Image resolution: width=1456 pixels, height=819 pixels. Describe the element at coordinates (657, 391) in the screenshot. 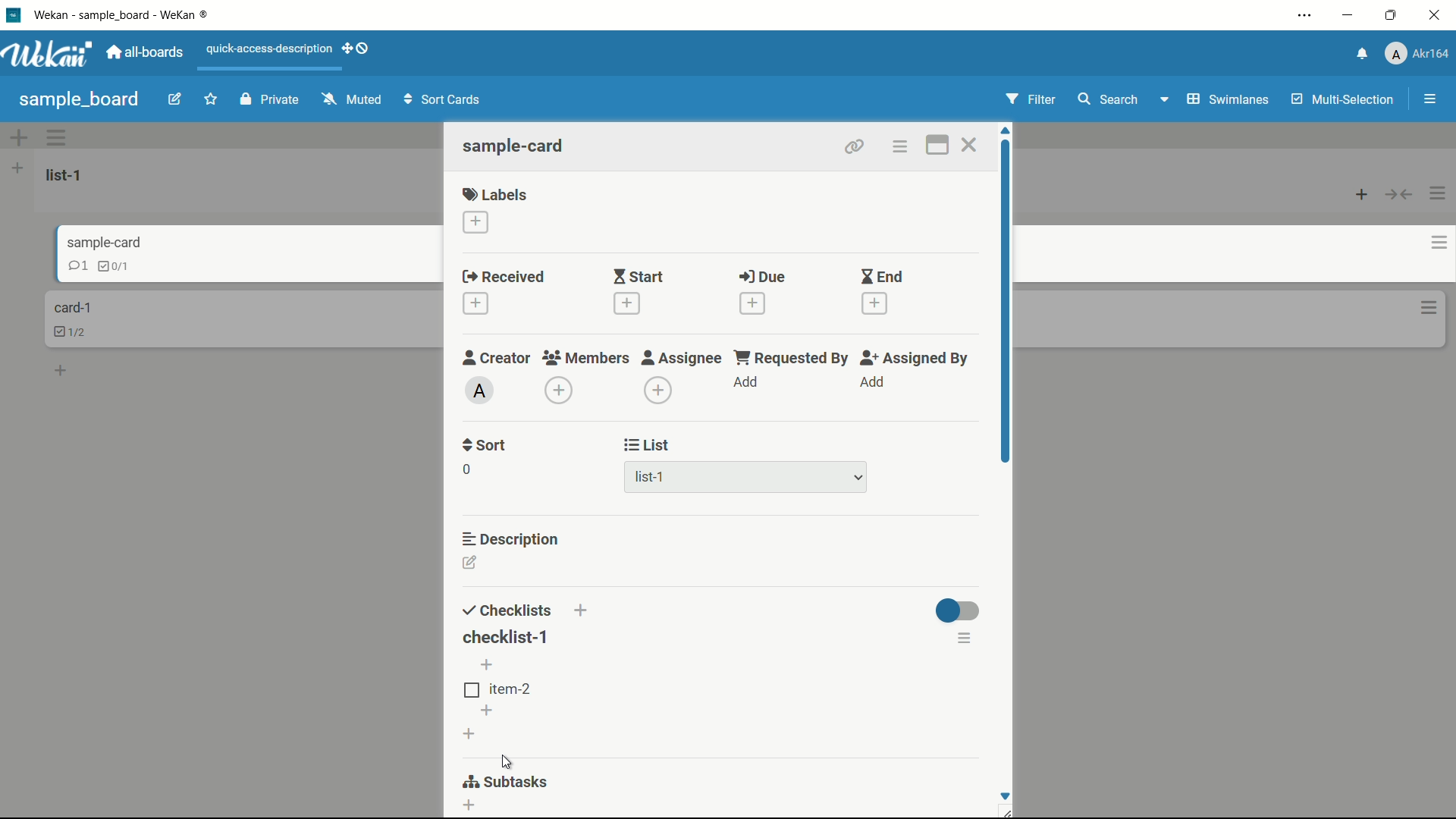

I see `dd assignee` at that location.